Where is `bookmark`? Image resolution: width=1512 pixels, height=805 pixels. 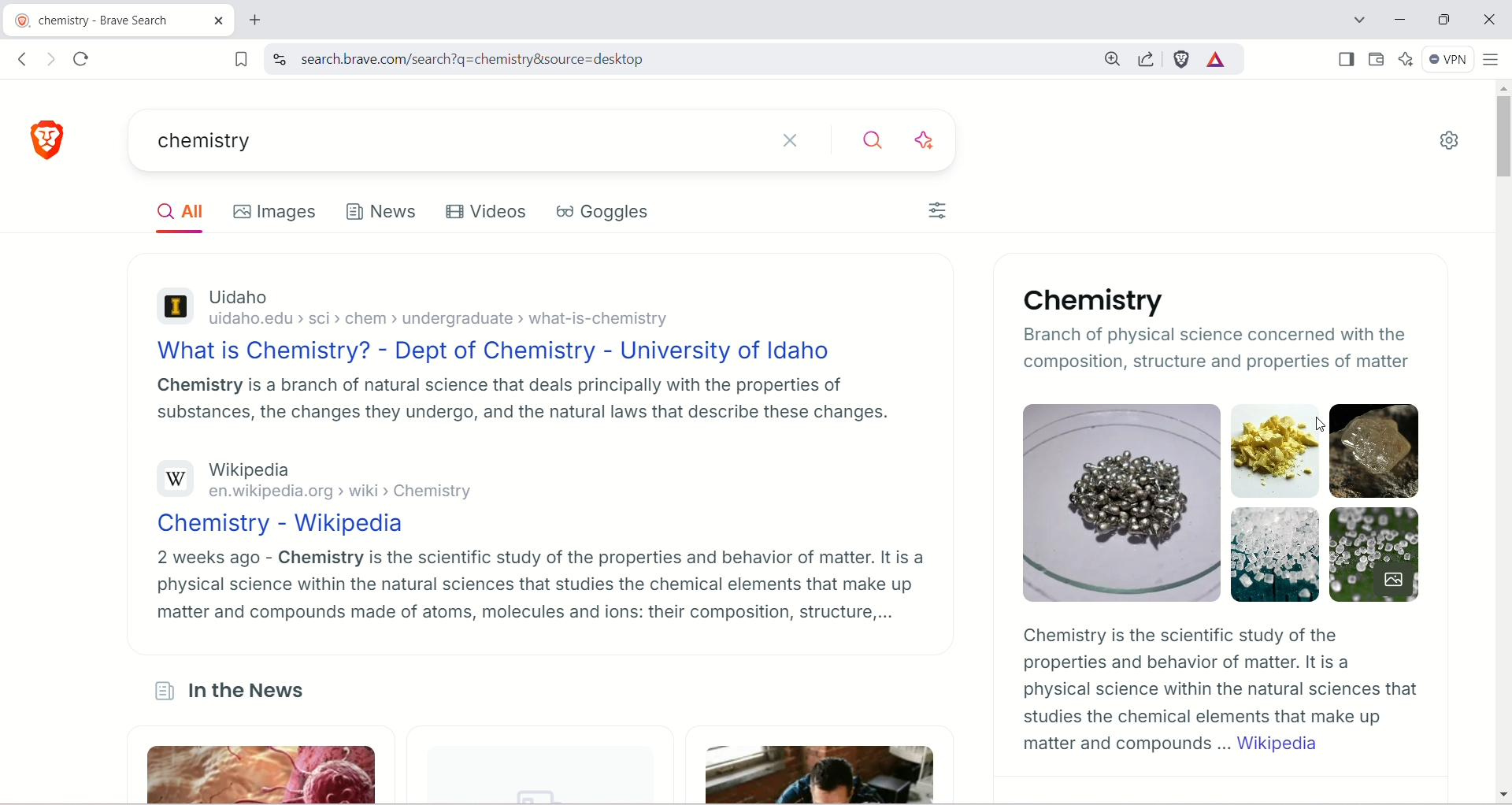
bookmark is located at coordinates (240, 57).